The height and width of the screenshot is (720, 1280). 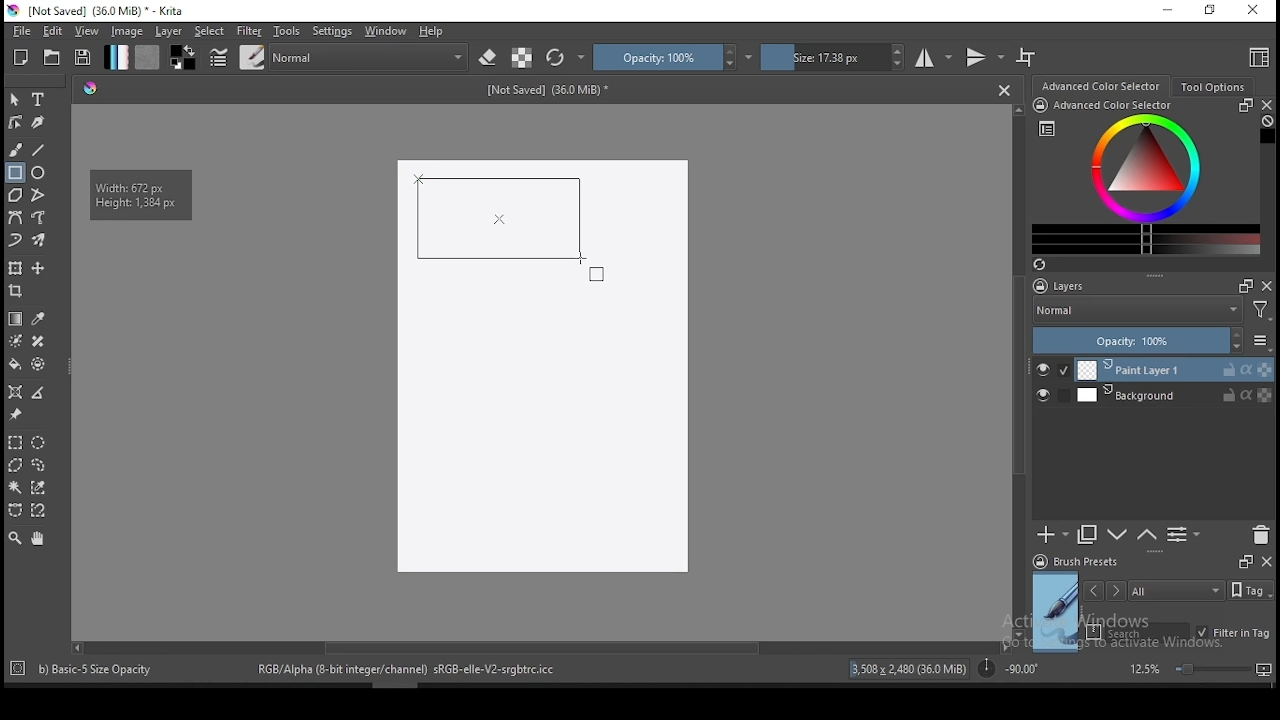 What do you see at coordinates (90, 88) in the screenshot?
I see `Hue` at bounding box center [90, 88].